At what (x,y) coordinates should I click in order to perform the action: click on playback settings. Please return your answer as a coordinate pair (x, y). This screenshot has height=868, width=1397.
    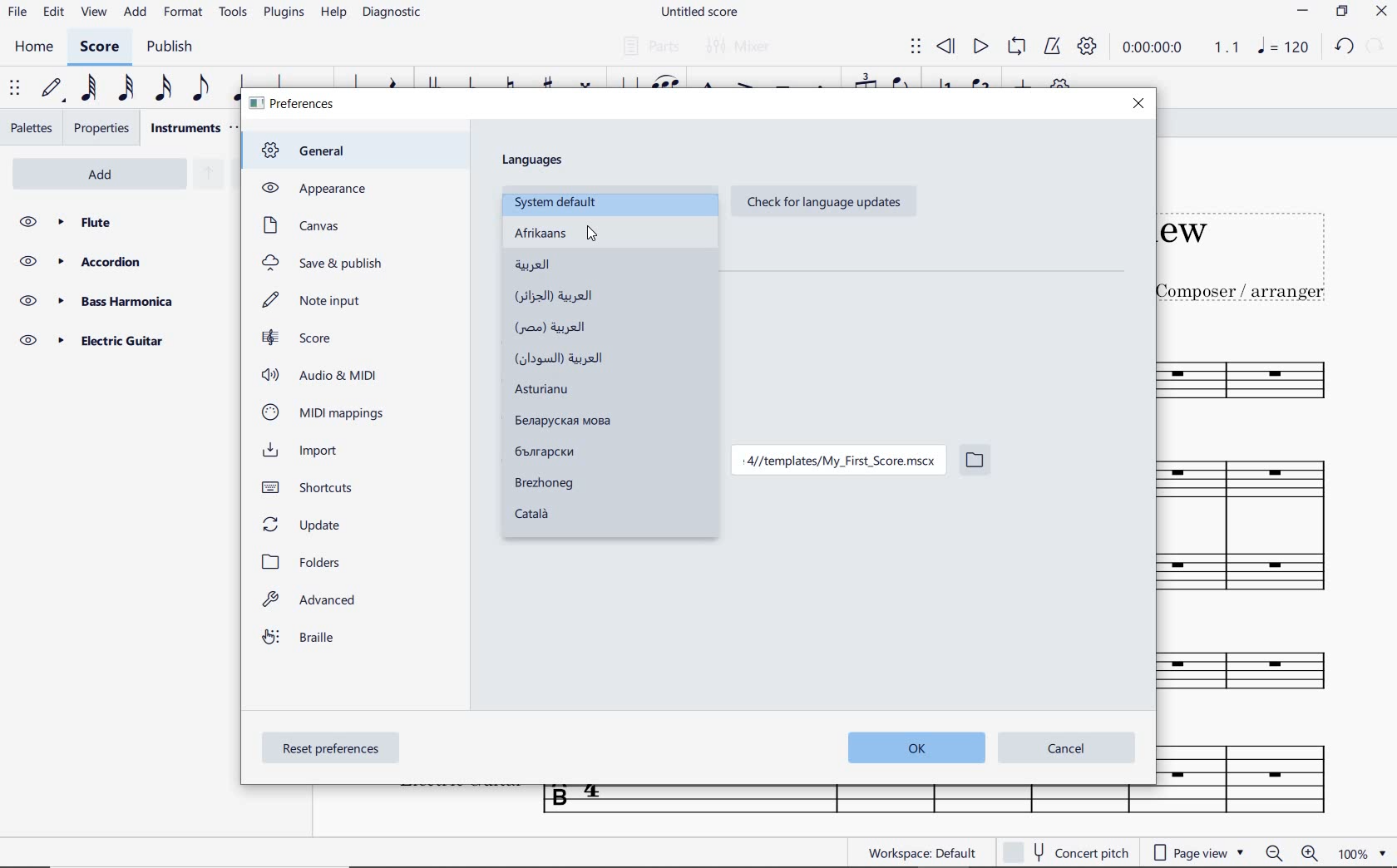
    Looking at the image, I should click on (1088, 50).